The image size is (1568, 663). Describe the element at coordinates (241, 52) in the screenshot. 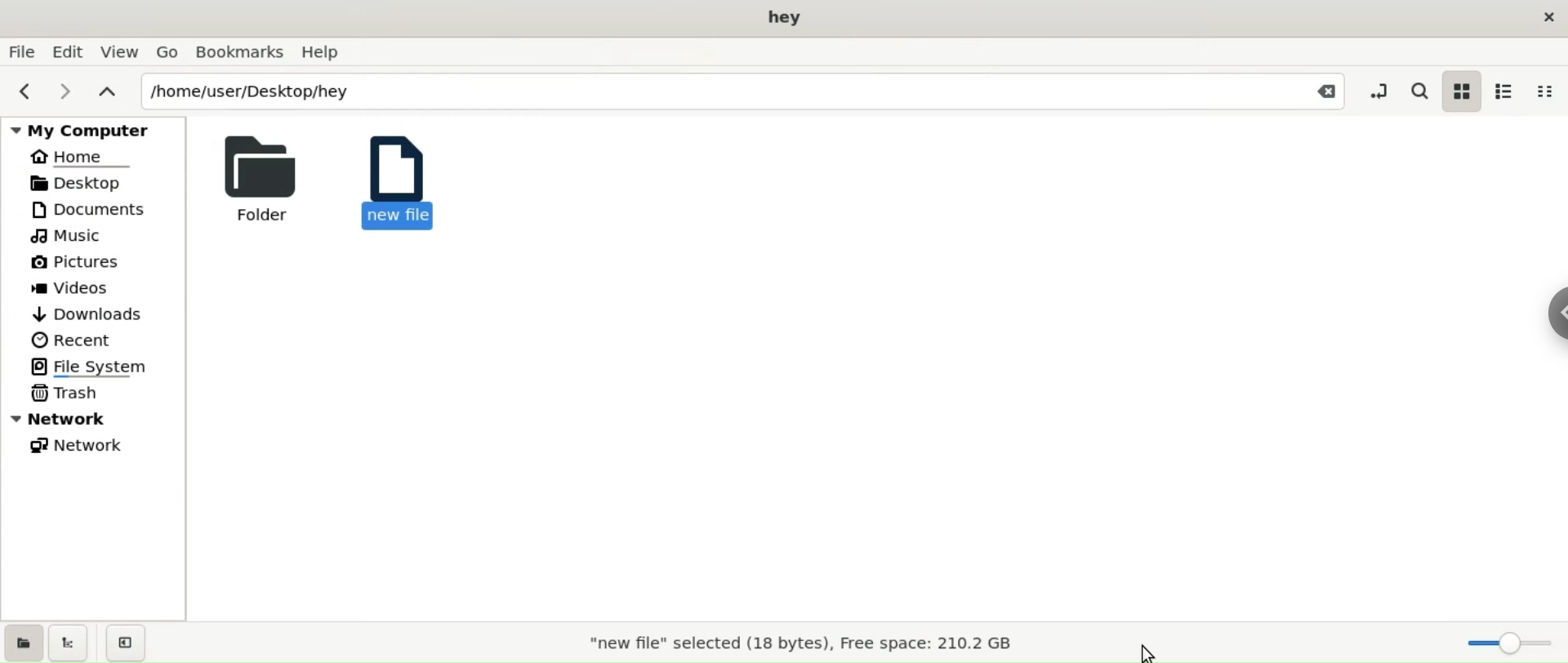

I see `Bookmarks` at that location.